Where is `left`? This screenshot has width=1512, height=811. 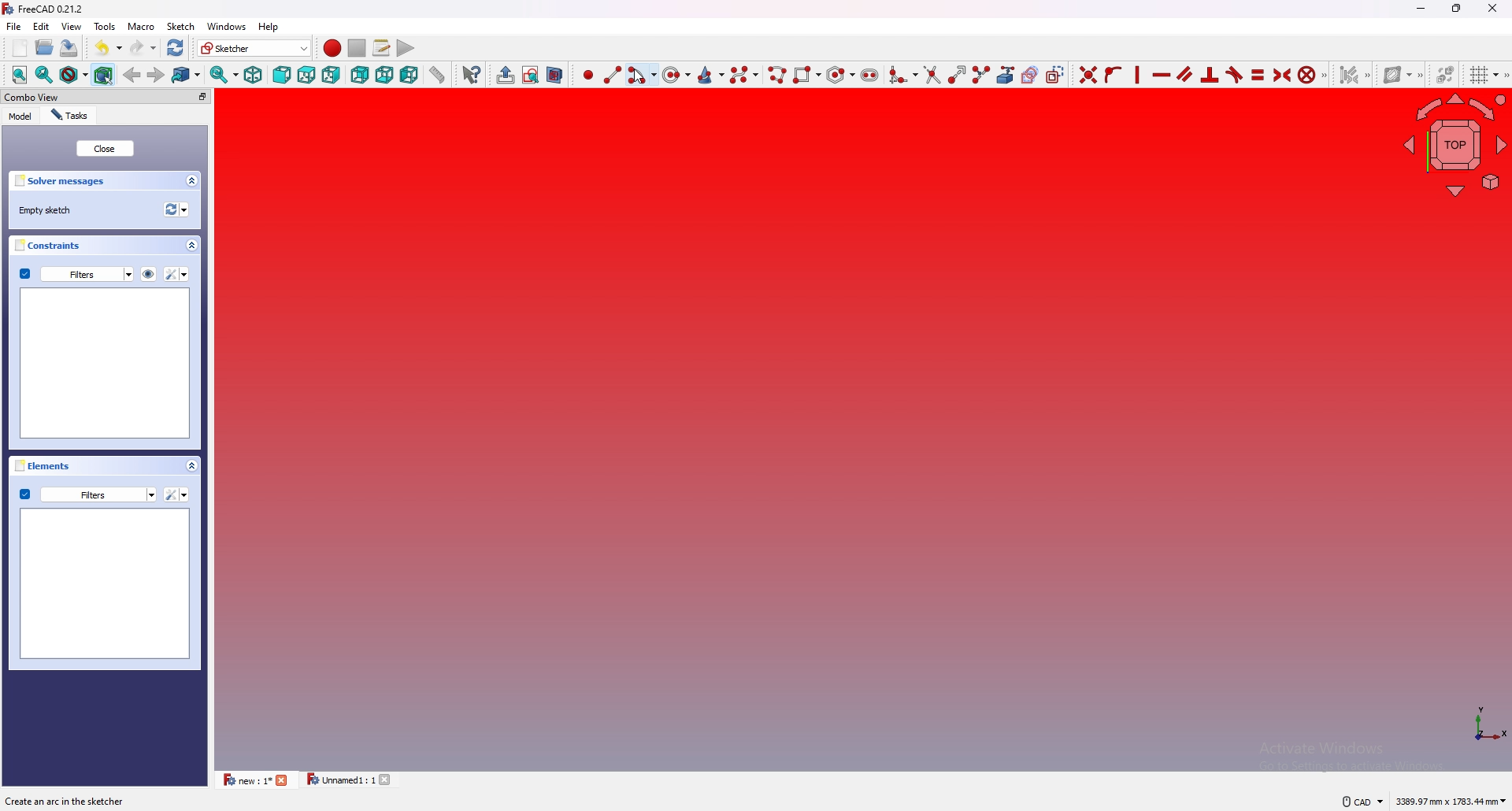
left is located at coordinates (410, 75).